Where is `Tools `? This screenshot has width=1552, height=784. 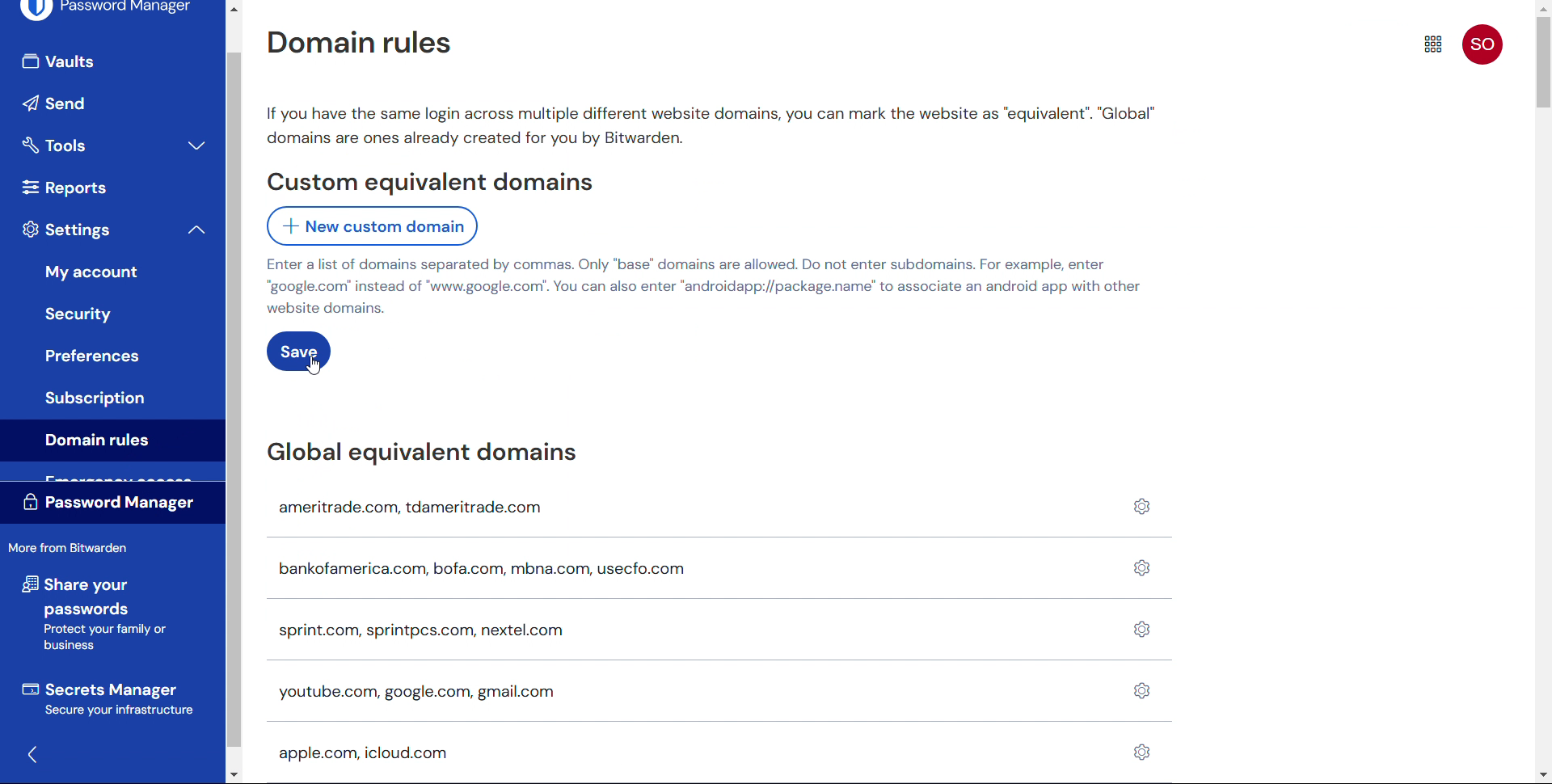 Tools  is located at coordinates (85, 144).